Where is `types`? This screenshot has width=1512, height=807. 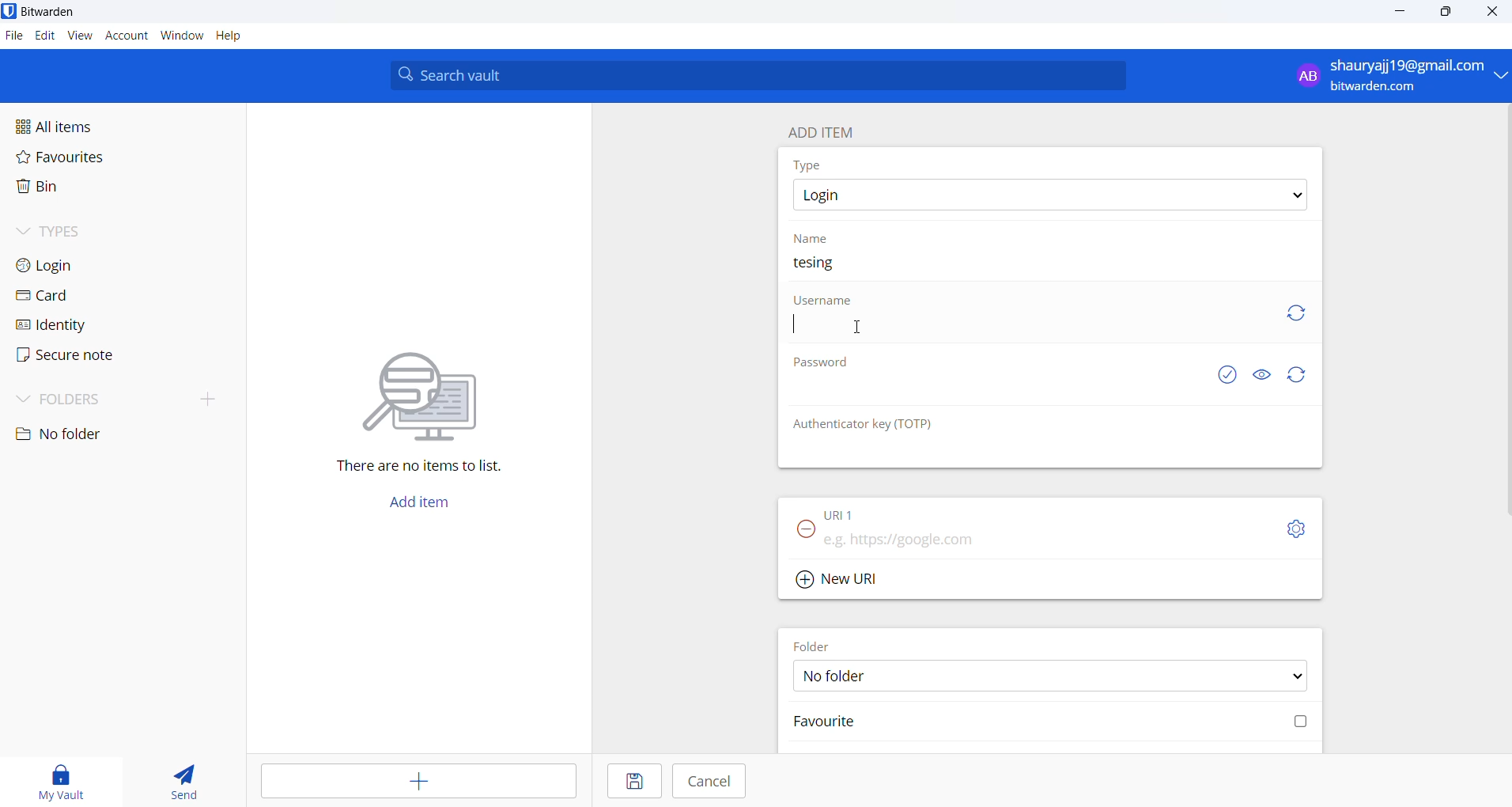
types is located at coordinates (98, 237).